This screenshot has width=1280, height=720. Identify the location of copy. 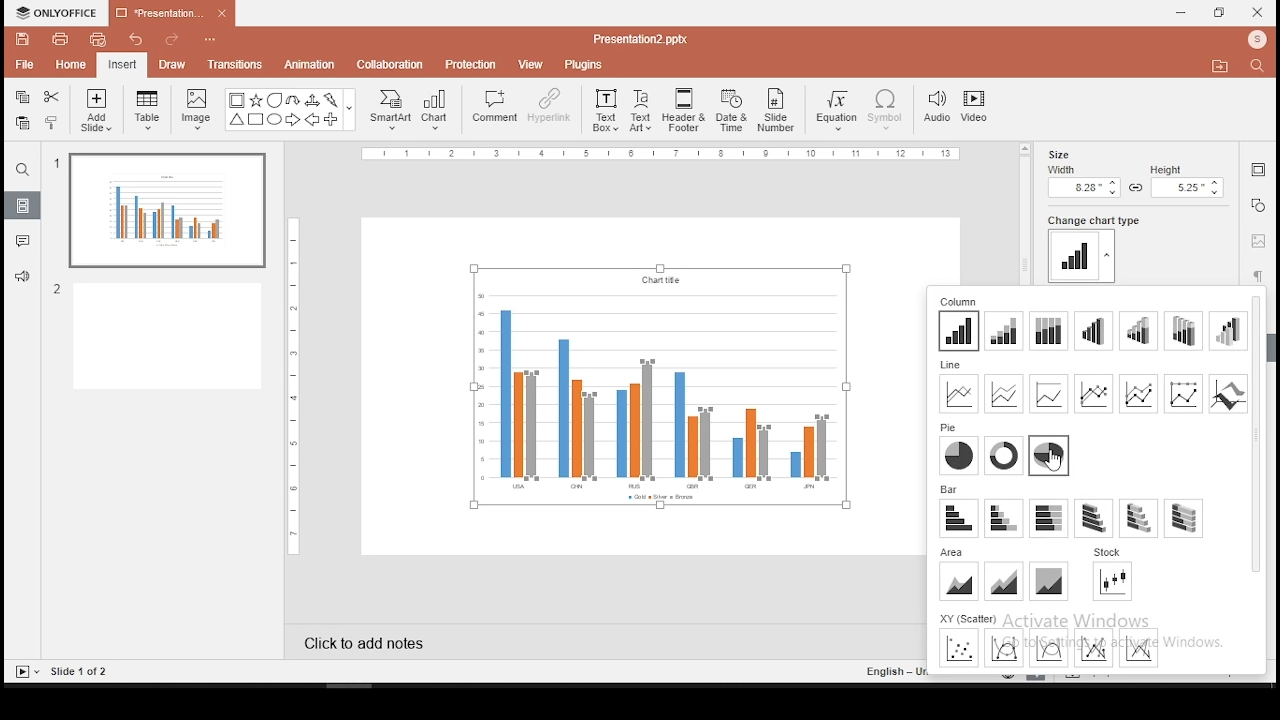
(23, 97).